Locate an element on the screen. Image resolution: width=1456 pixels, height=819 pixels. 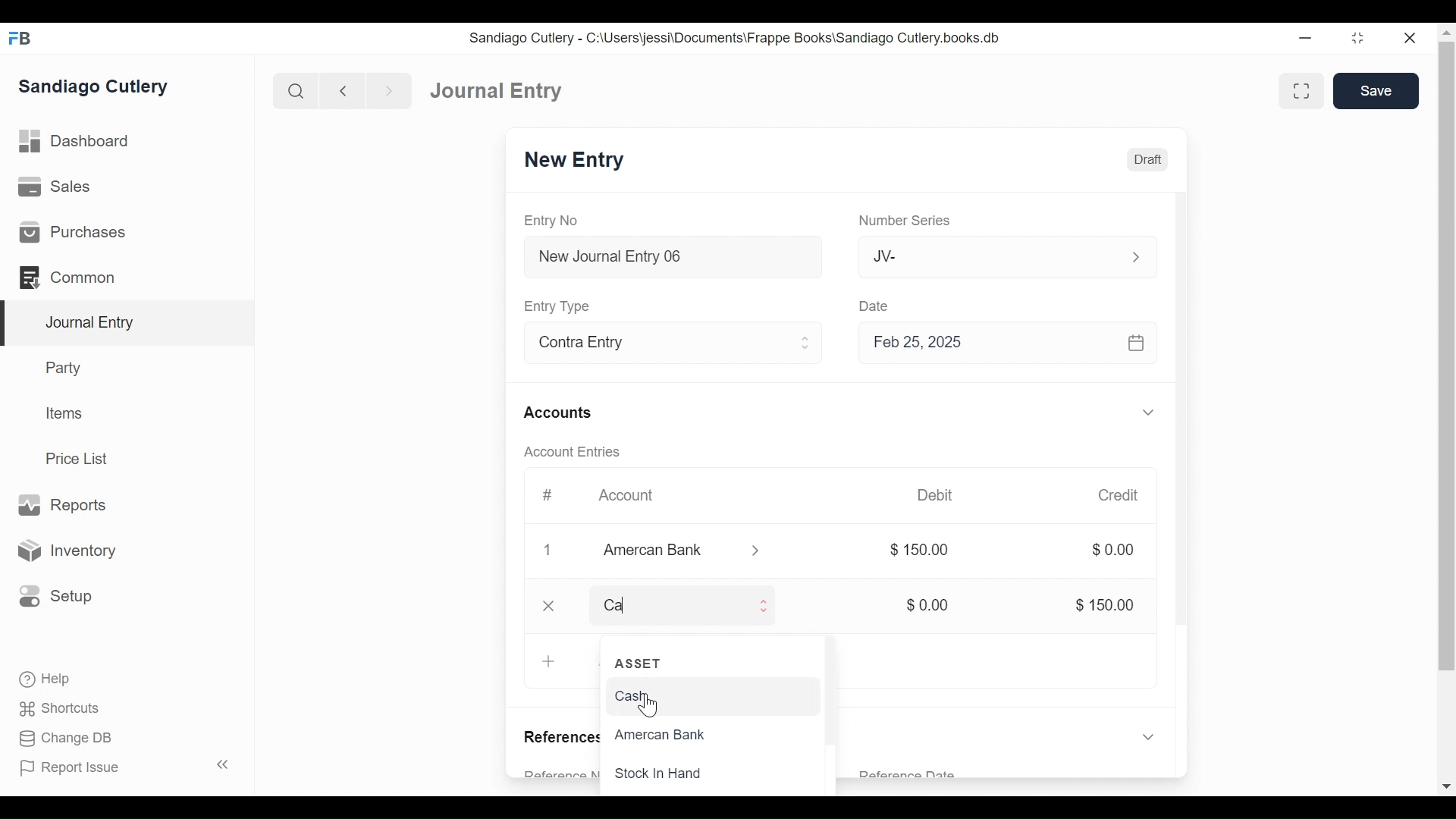
Amercan Bank is located at coordinates (667, 551).